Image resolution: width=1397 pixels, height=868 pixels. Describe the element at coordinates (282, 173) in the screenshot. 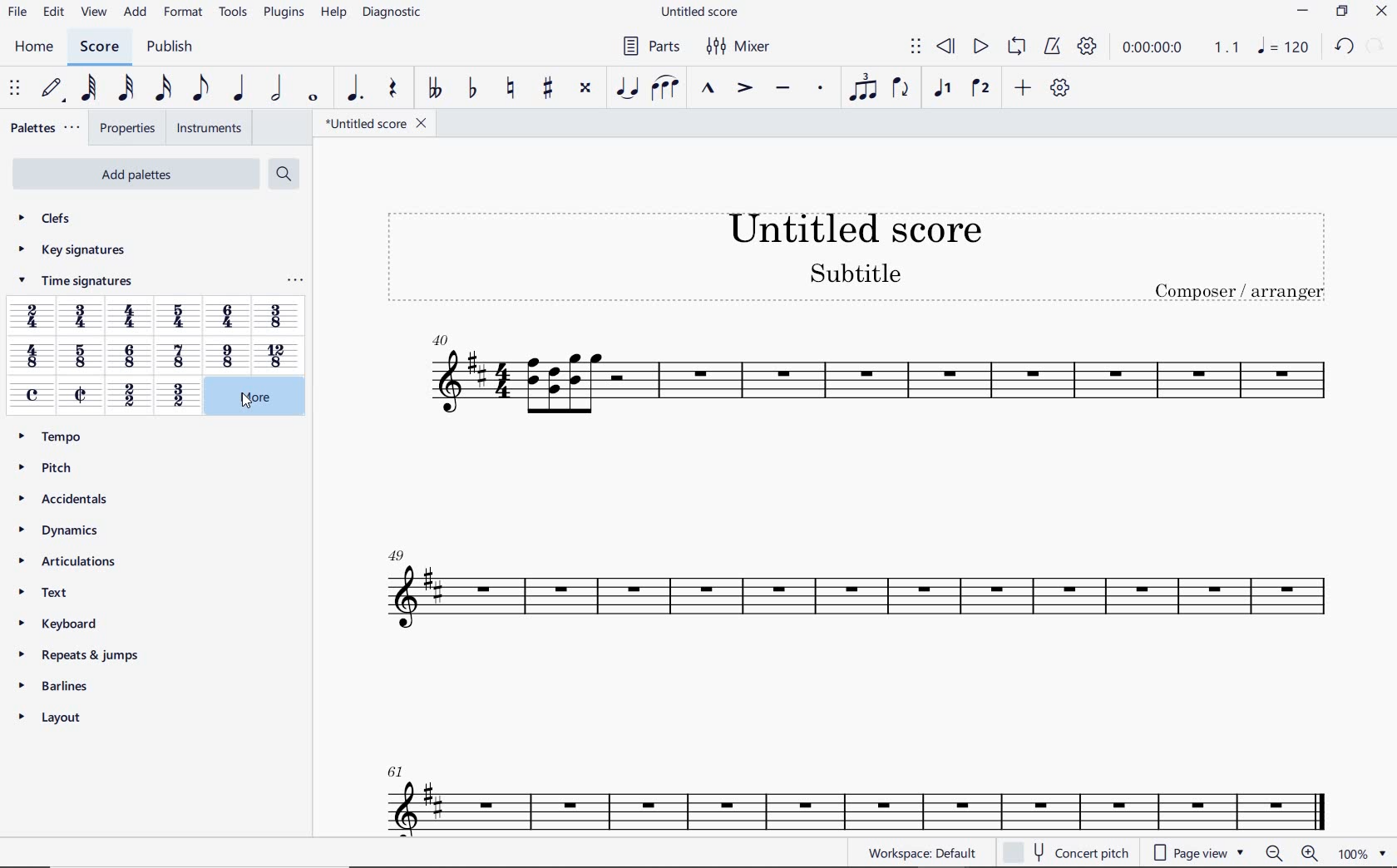

I see `SEARCH PALETTES` at that location.